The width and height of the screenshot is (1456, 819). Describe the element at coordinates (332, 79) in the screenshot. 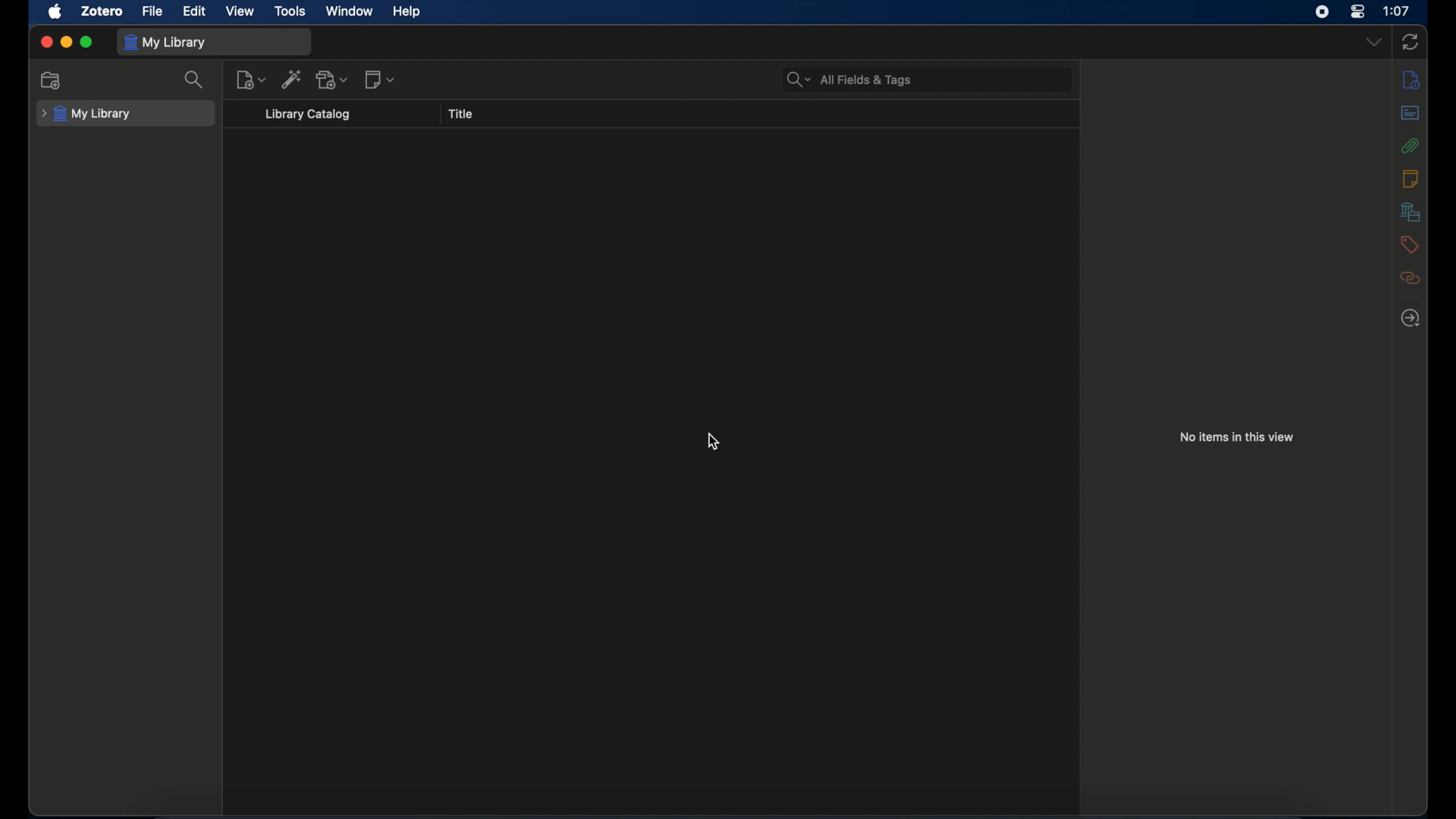

I see `add attachments` at that location.